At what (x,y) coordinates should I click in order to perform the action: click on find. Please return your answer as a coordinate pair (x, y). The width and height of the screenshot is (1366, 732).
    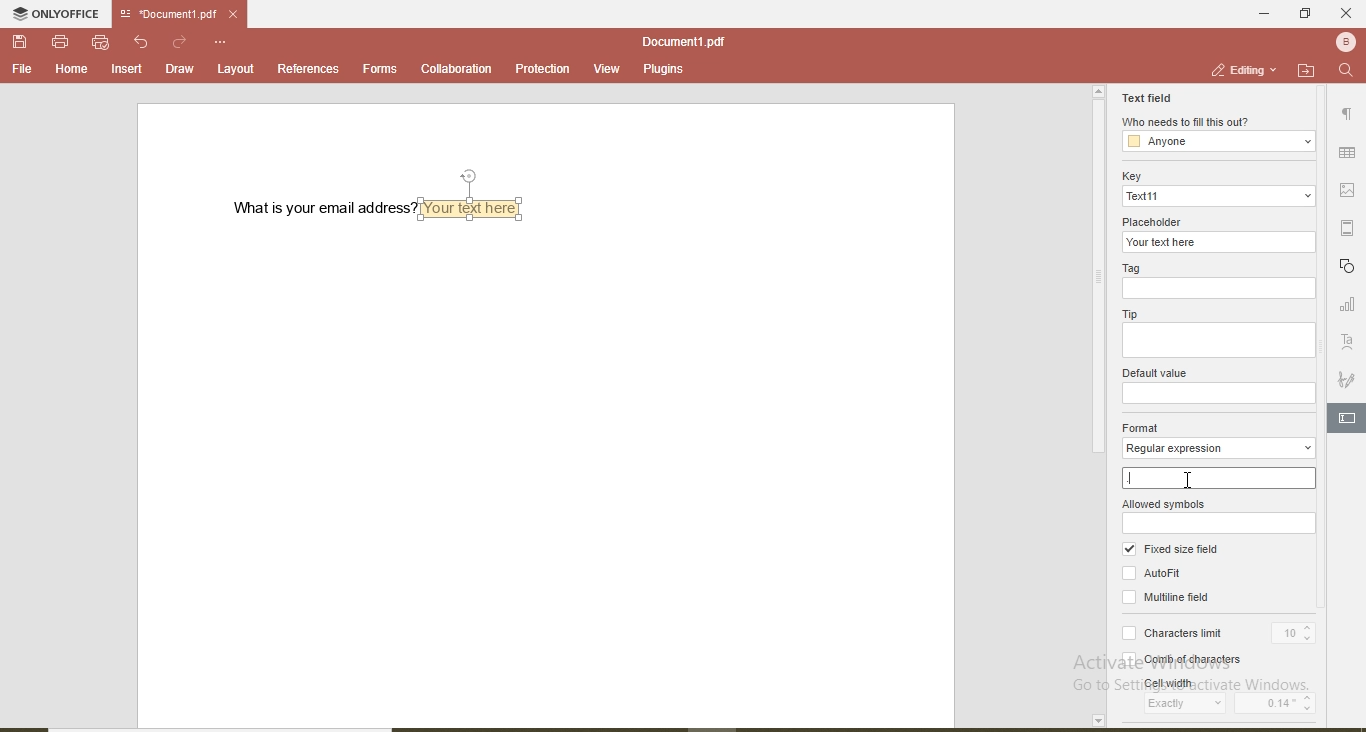
    Looking at the image, I should click on (1346, 71).